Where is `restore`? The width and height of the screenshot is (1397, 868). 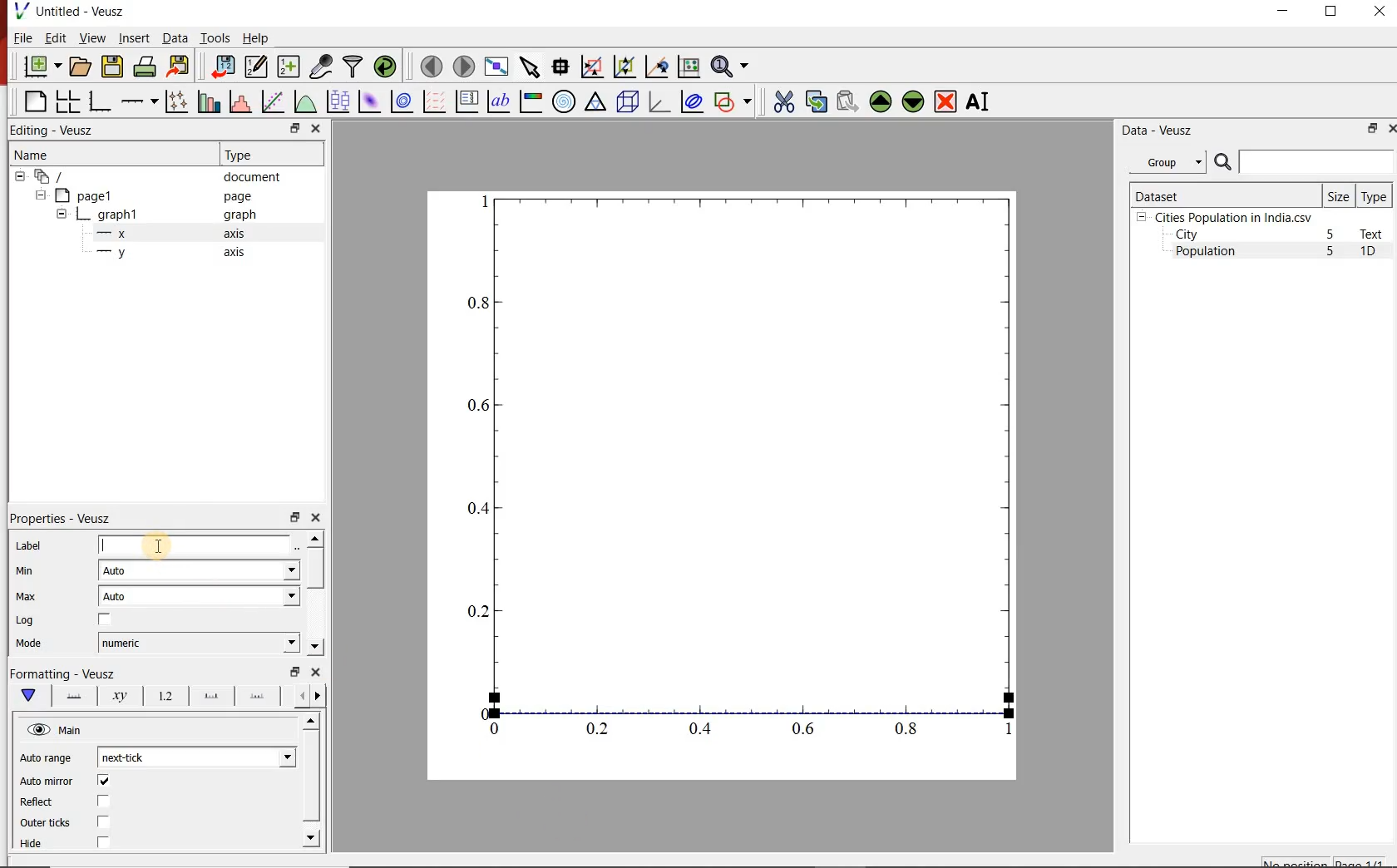
restore is located at coordinates (294, 128).